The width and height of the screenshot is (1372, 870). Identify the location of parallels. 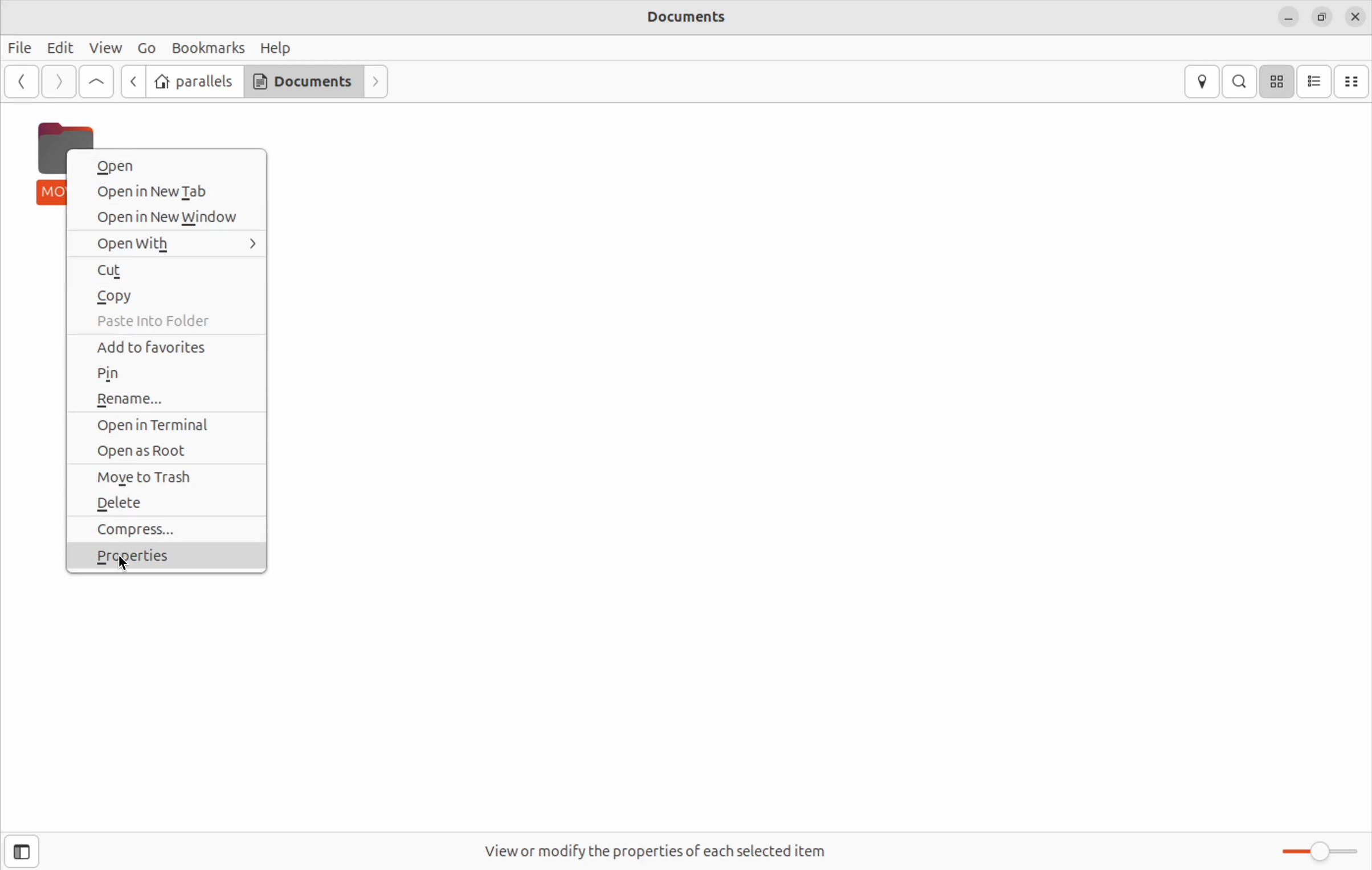
(195, 81).